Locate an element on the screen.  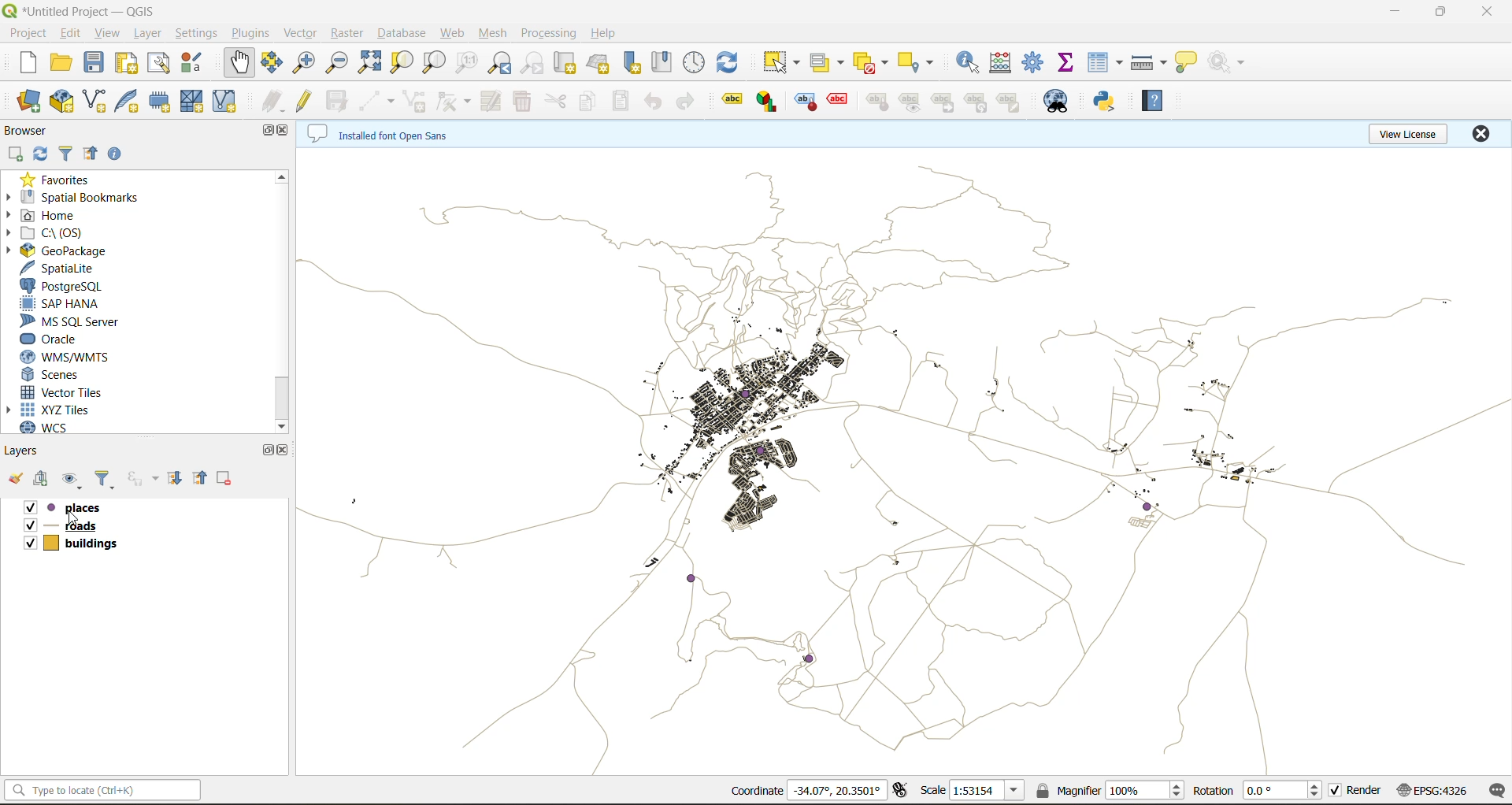
digitize is located at coordinates (378, 101).